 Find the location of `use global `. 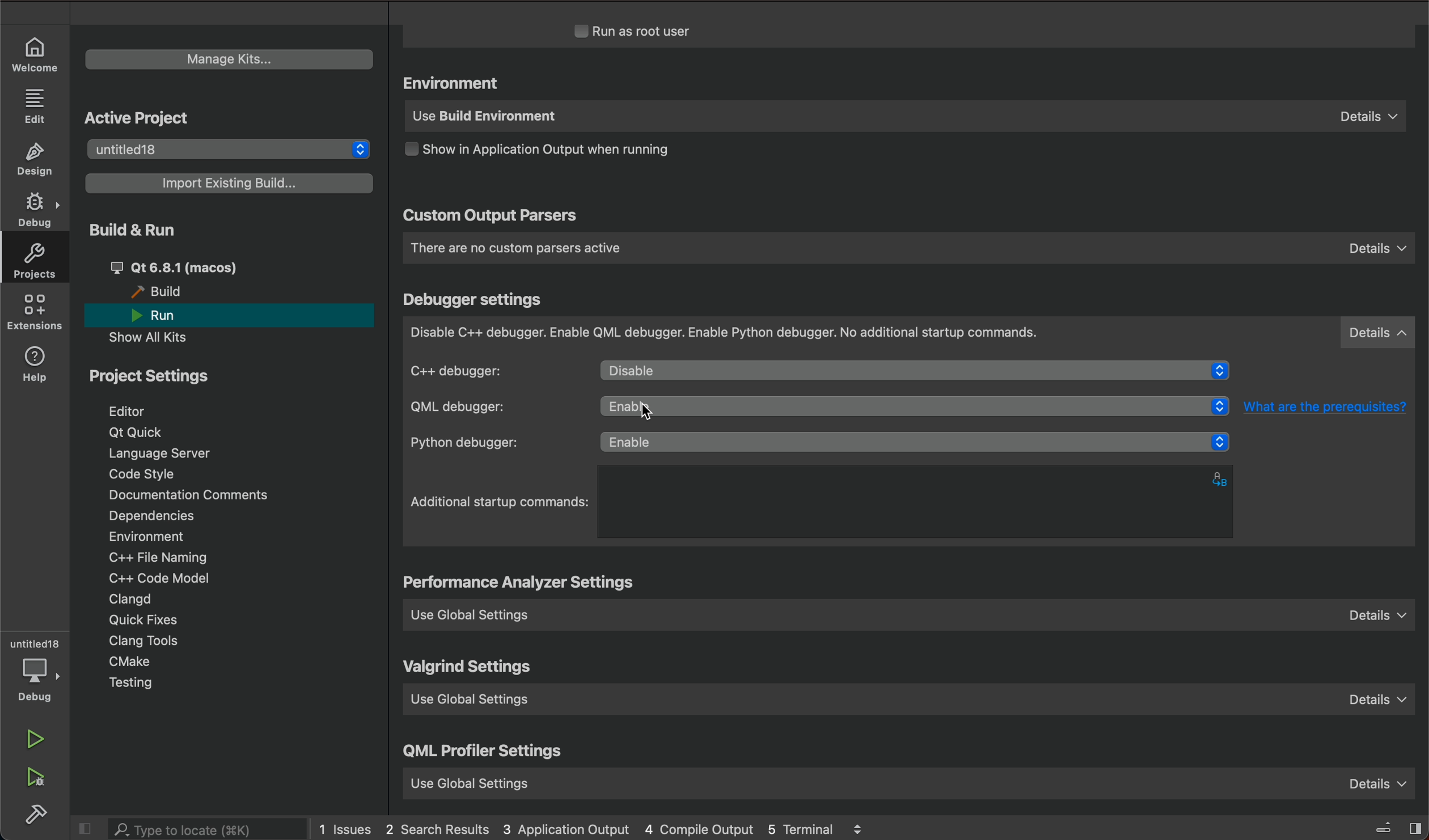

use global  is located at coordinates (907, 780).